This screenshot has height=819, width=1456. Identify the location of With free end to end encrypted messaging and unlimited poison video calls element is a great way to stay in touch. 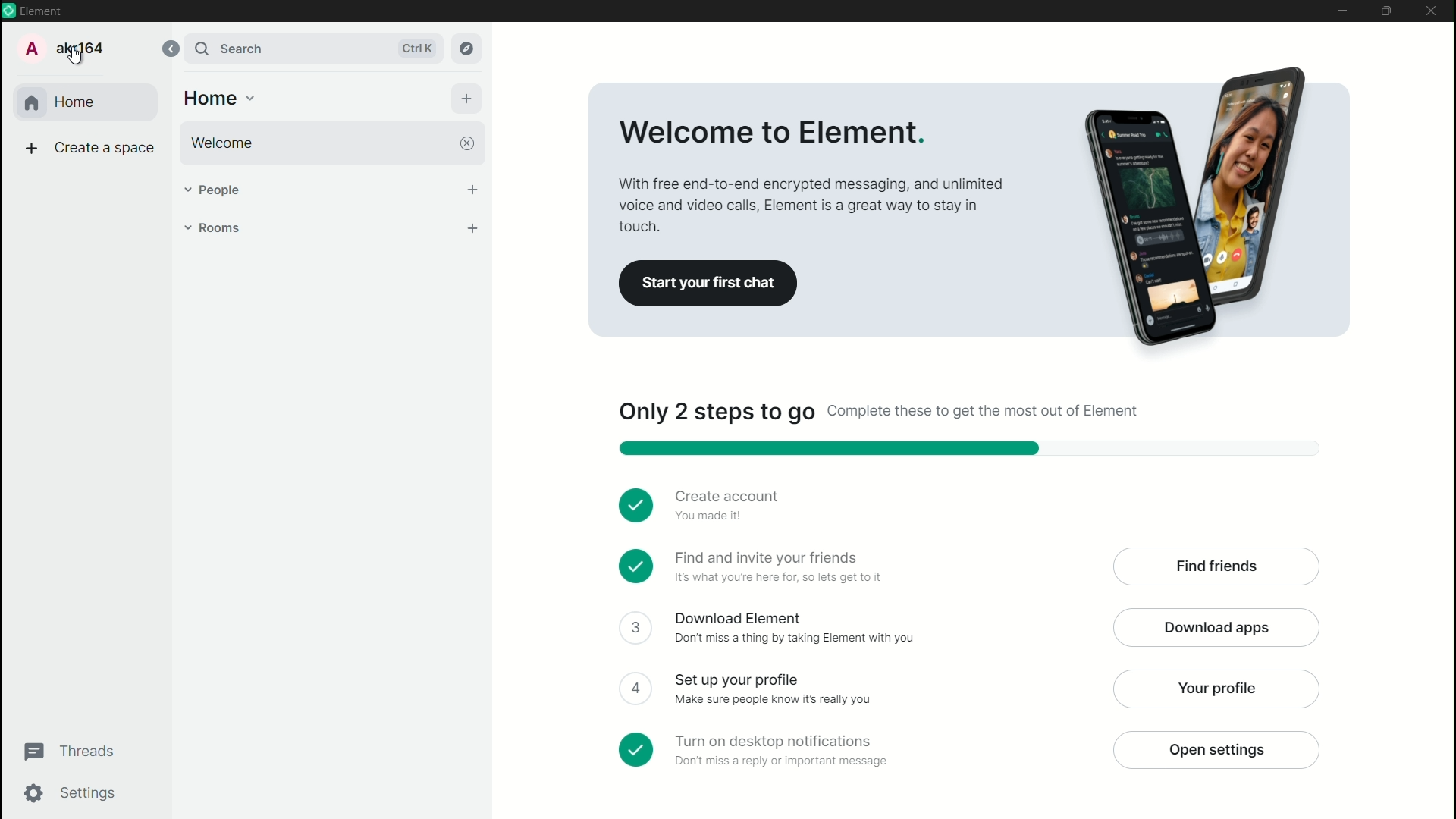
(810, 205).